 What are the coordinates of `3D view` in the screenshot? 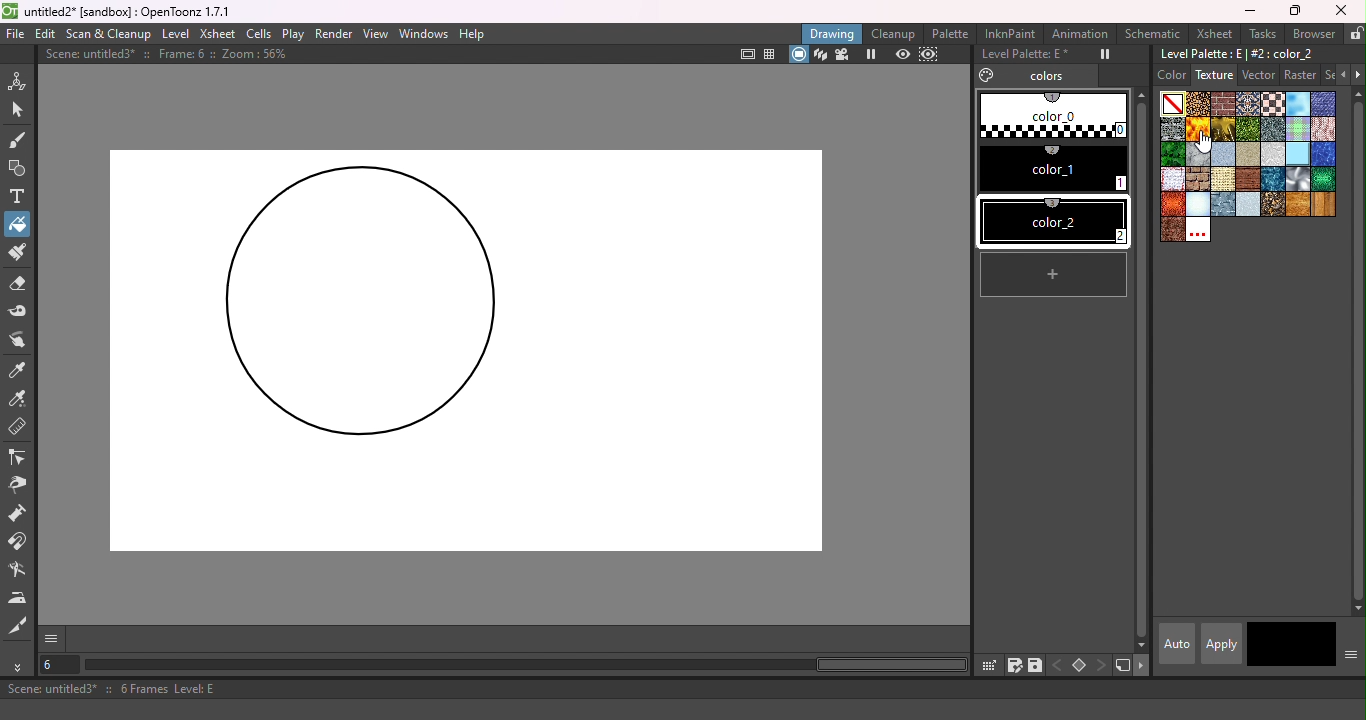 It's located at (820, 54).